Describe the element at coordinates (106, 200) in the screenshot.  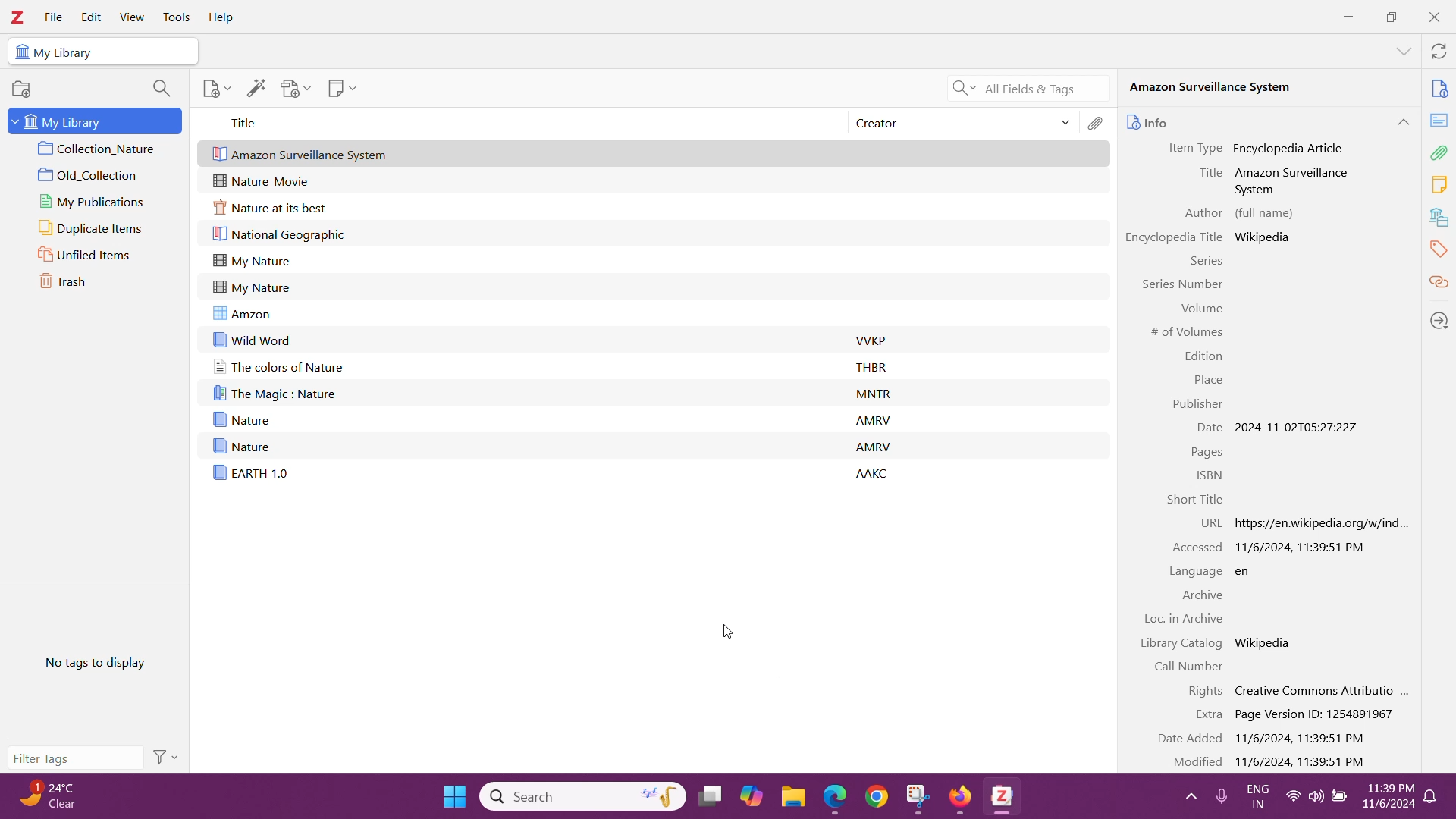
I see `My Publications` at that location.